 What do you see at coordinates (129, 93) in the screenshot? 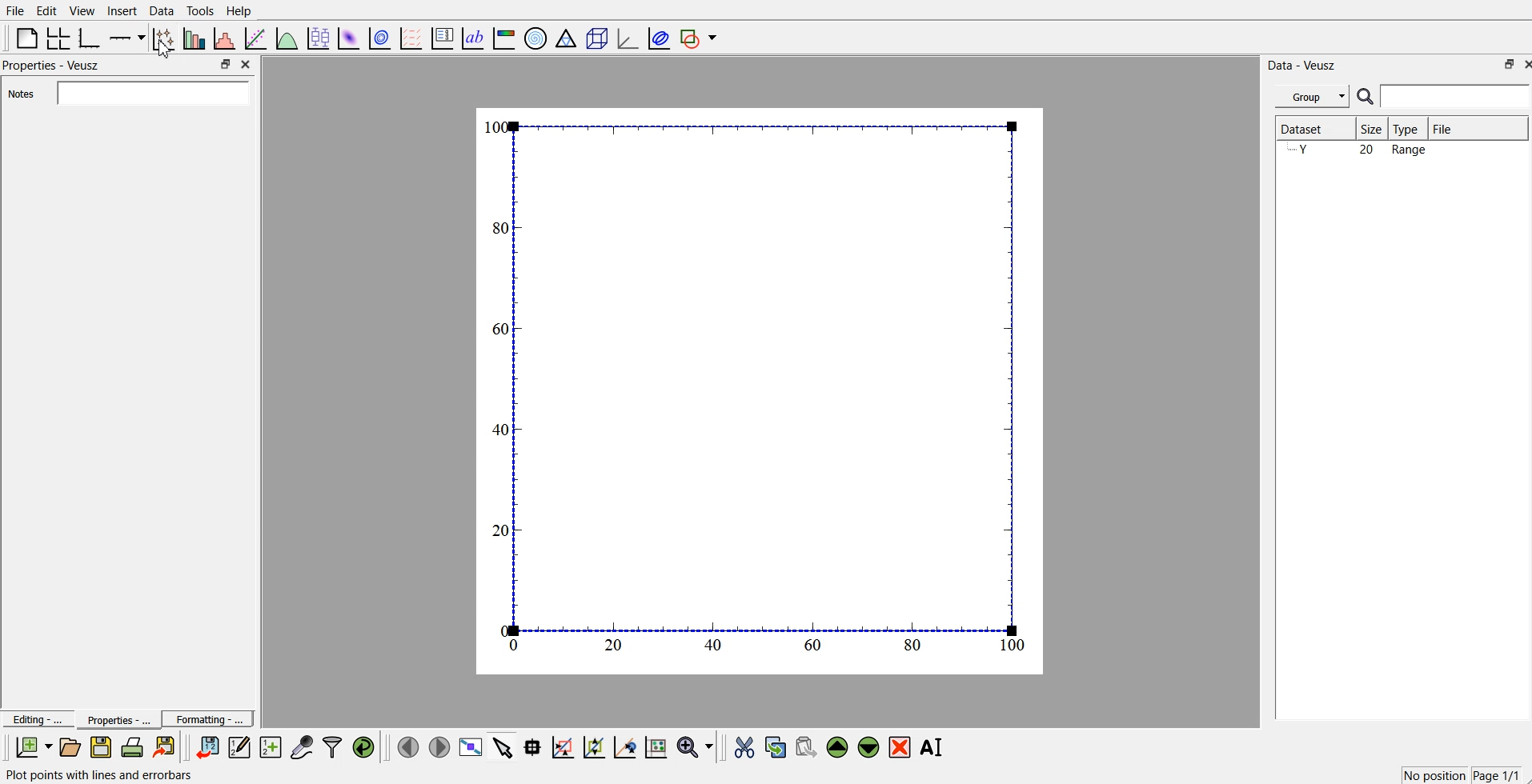
I see `Notes` at bounding box center [129, 93].